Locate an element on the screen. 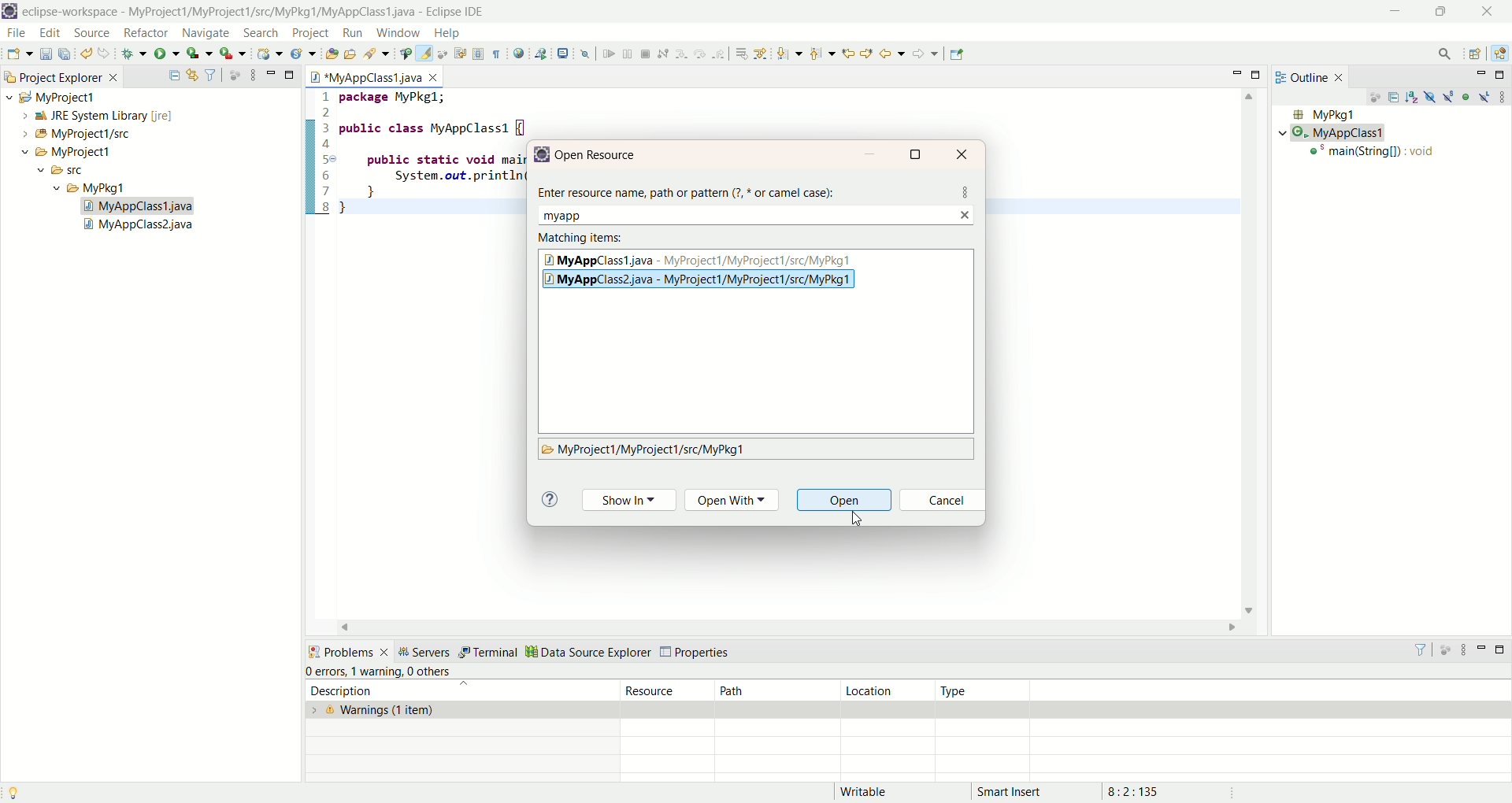 The image size is (1512, 803). help is located at coordinates (446, 34).